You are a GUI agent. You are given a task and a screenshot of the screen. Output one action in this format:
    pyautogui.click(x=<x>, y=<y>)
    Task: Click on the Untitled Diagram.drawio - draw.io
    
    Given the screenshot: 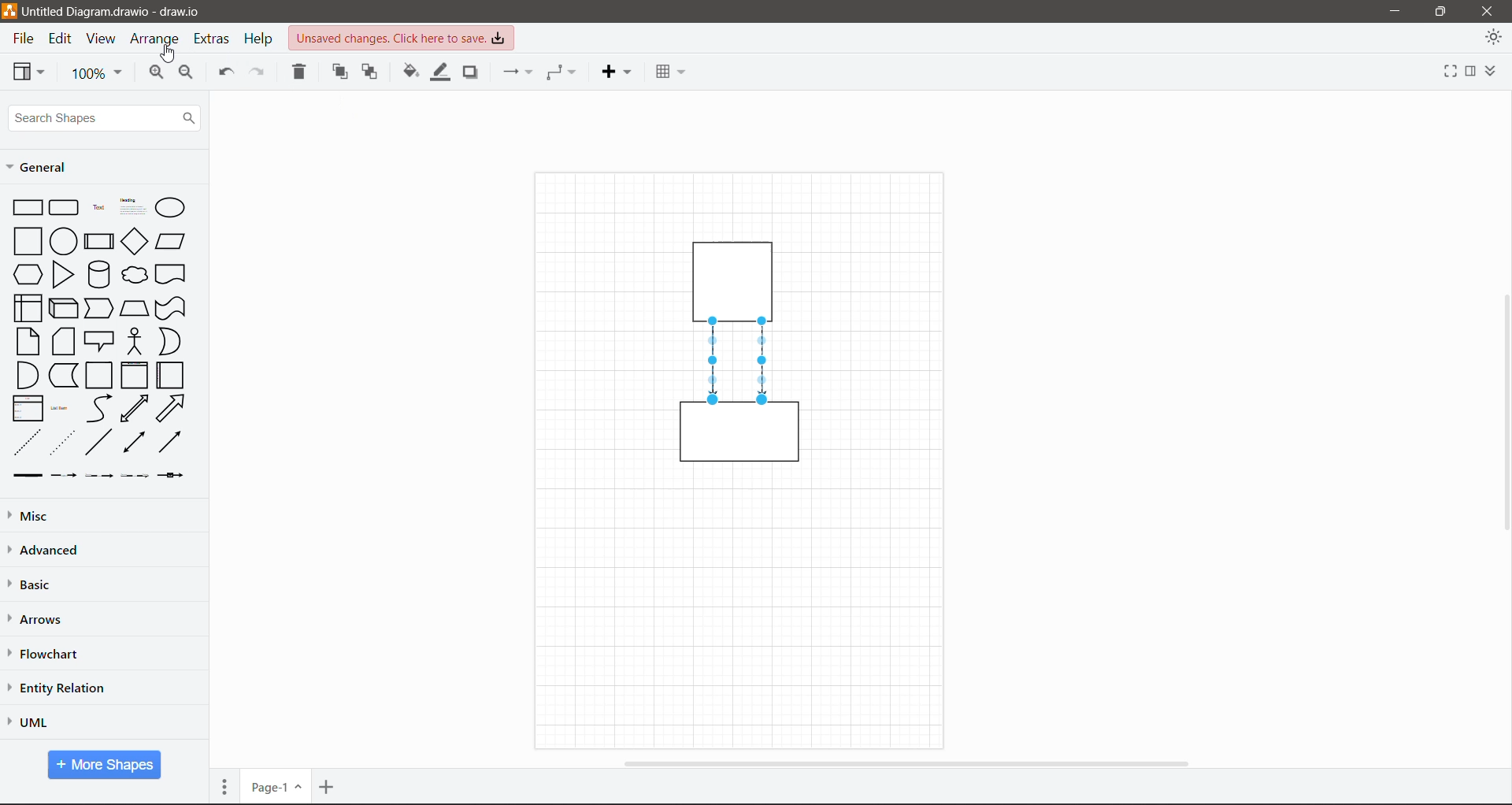 What is the action you would take?
    pyautogui.click(x=120, y=12)
    